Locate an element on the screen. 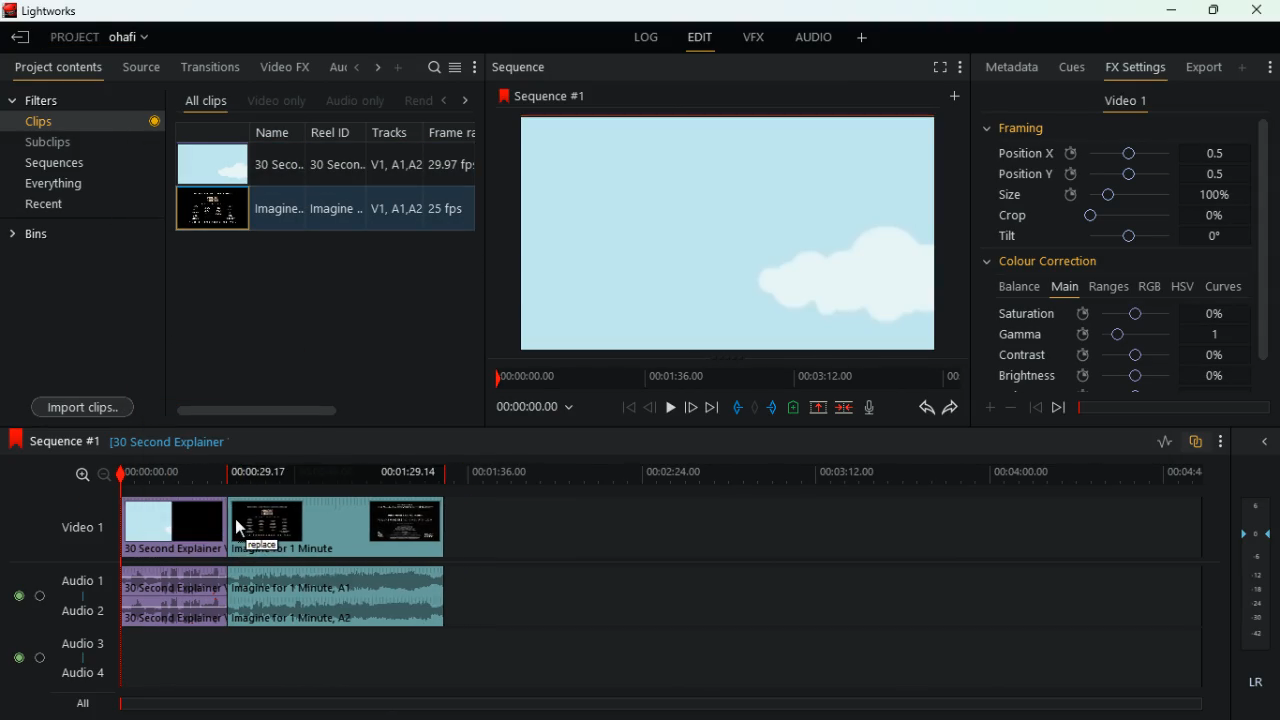 The height and width of the screenshot is (720, 1280). change is located at coordinates (374, 68).